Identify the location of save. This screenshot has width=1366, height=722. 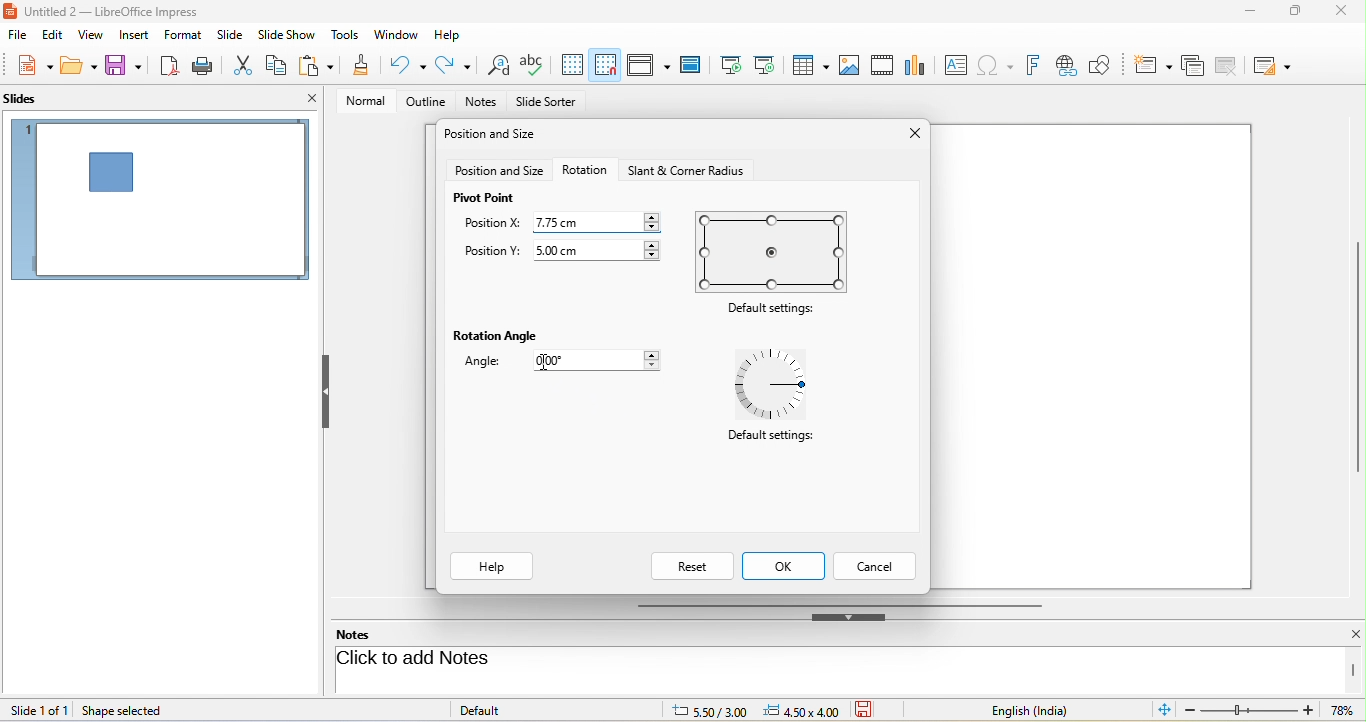
(871, 710).